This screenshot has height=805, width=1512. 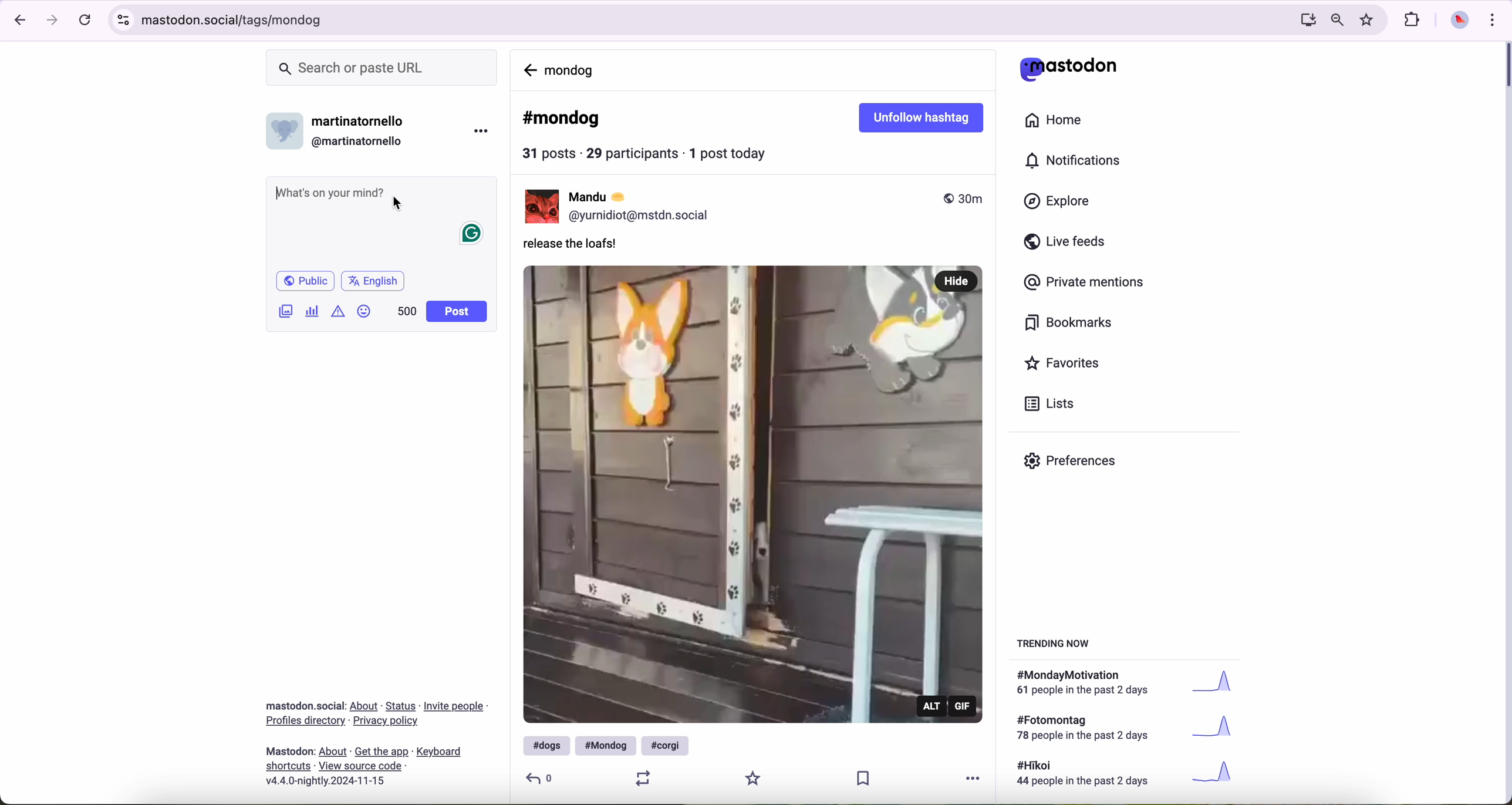 I want to click on link, so click(x=289, y=767).